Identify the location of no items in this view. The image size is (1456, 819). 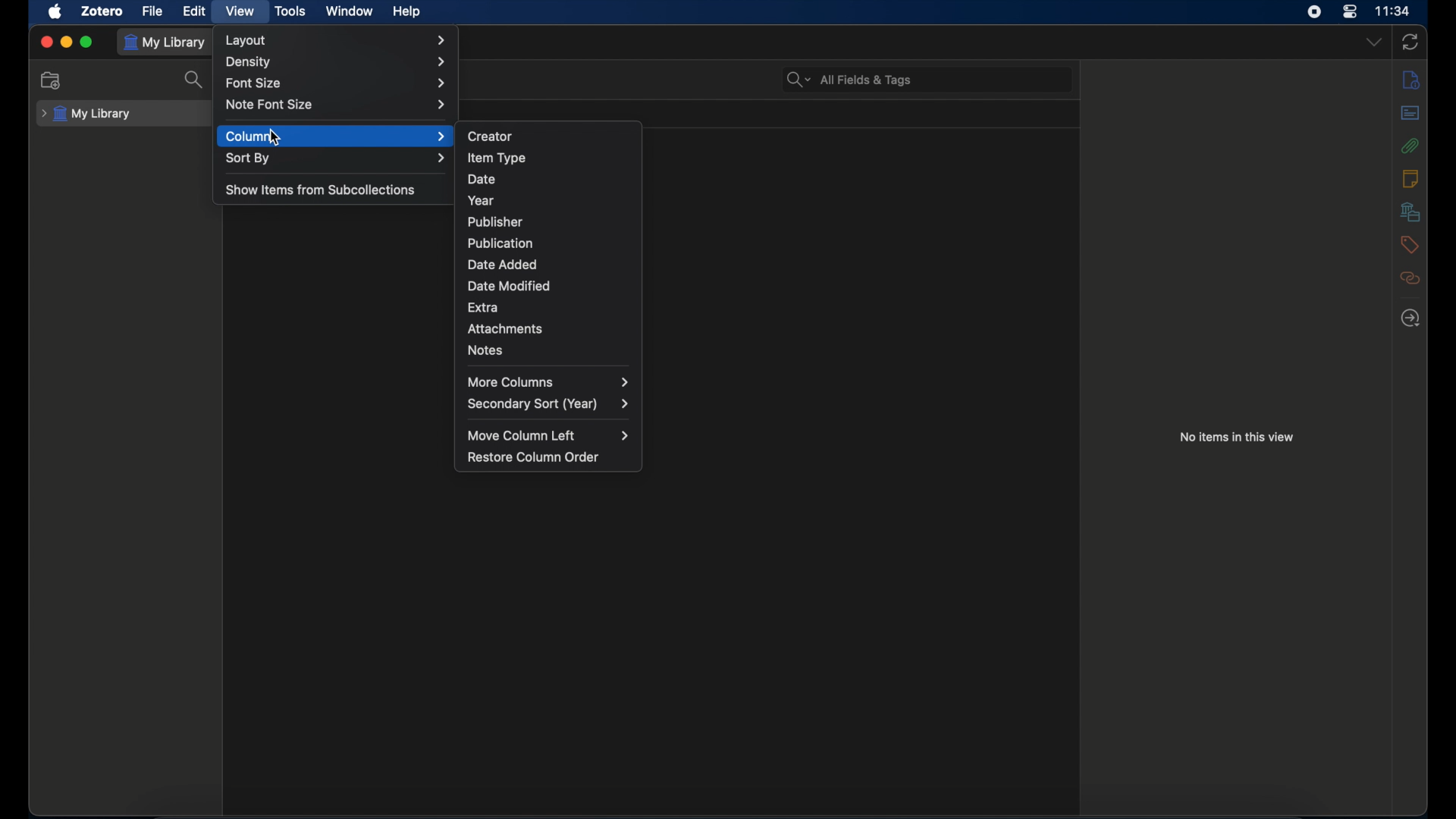
(1237, 437).